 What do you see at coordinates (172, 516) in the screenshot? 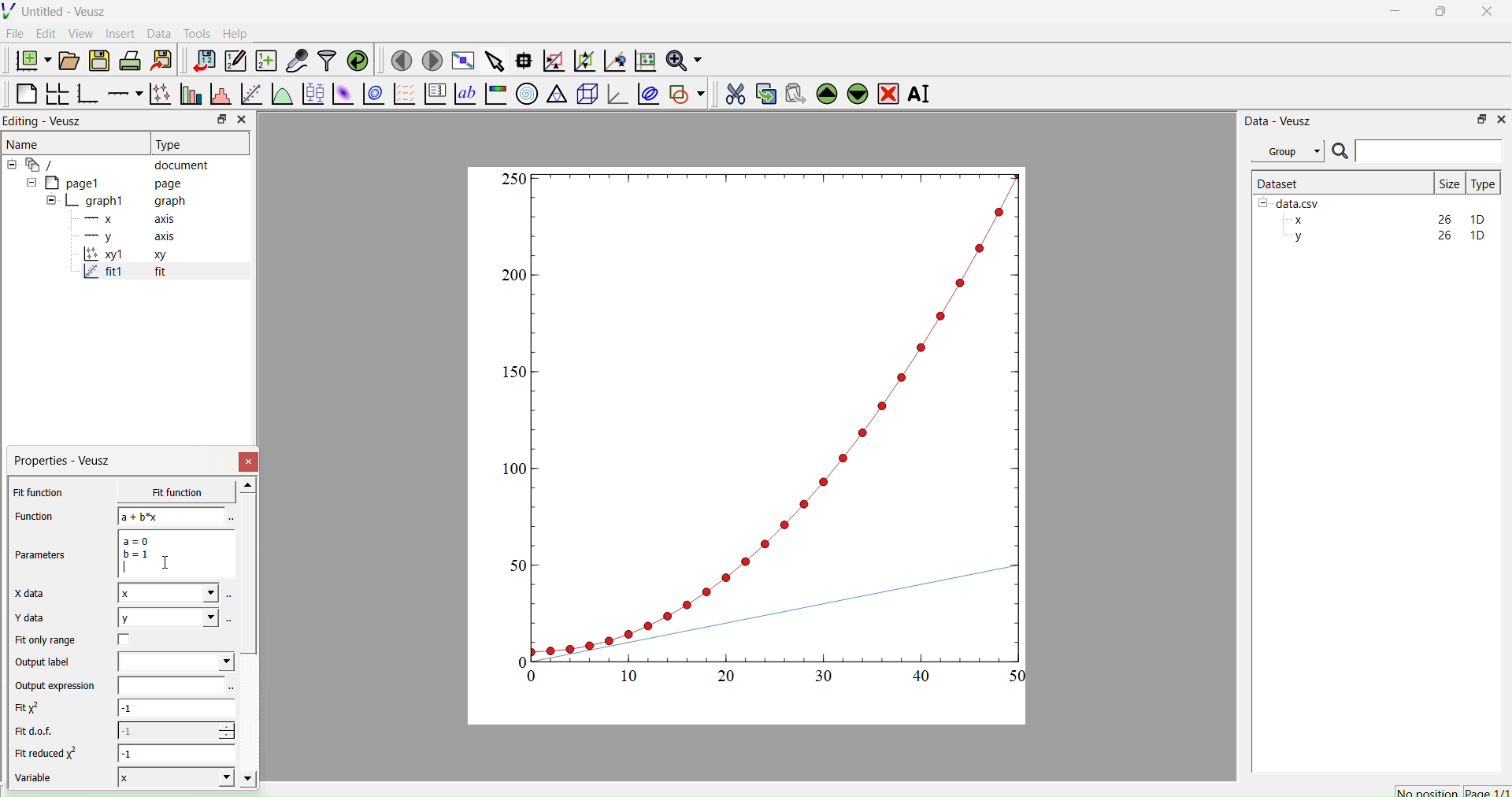
I see `a+b*x` at bounding box center [172, 516].